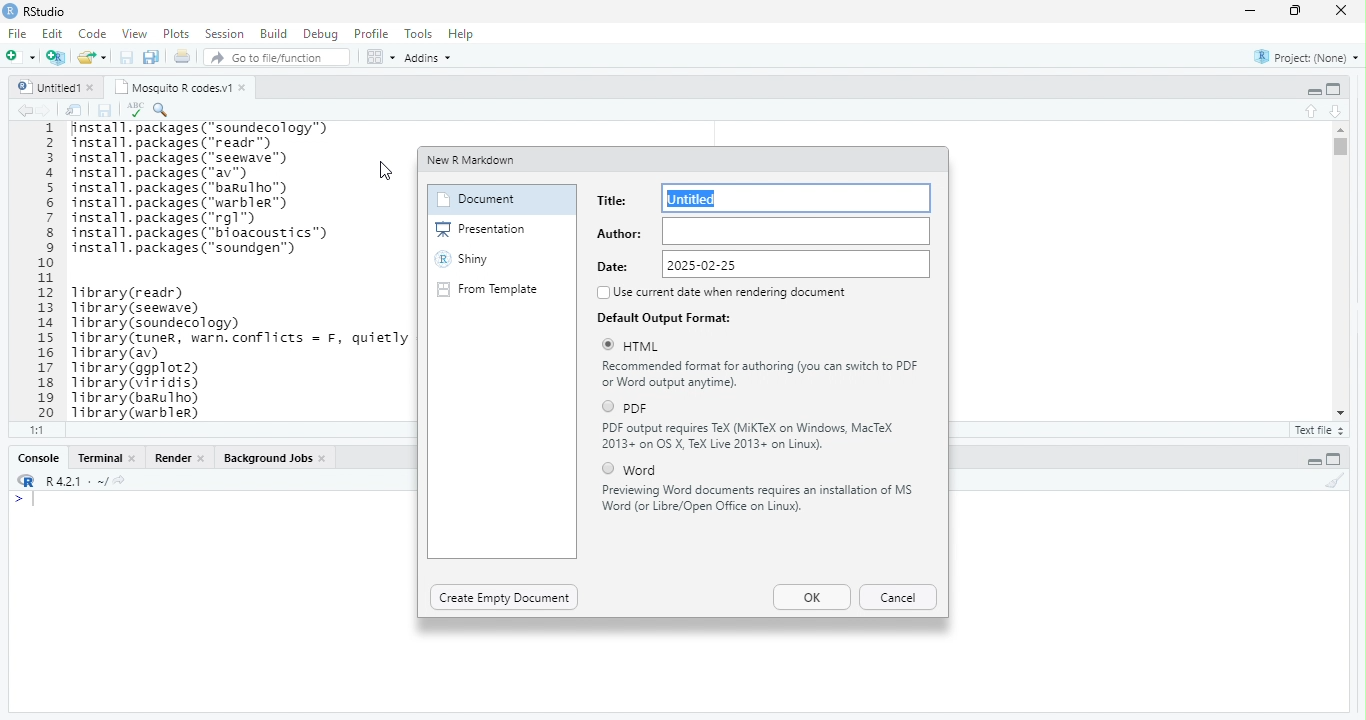  What do you see at coordinates (1313, 111) in the screenshot?
I see `top` at bounding box center [1313, 111].